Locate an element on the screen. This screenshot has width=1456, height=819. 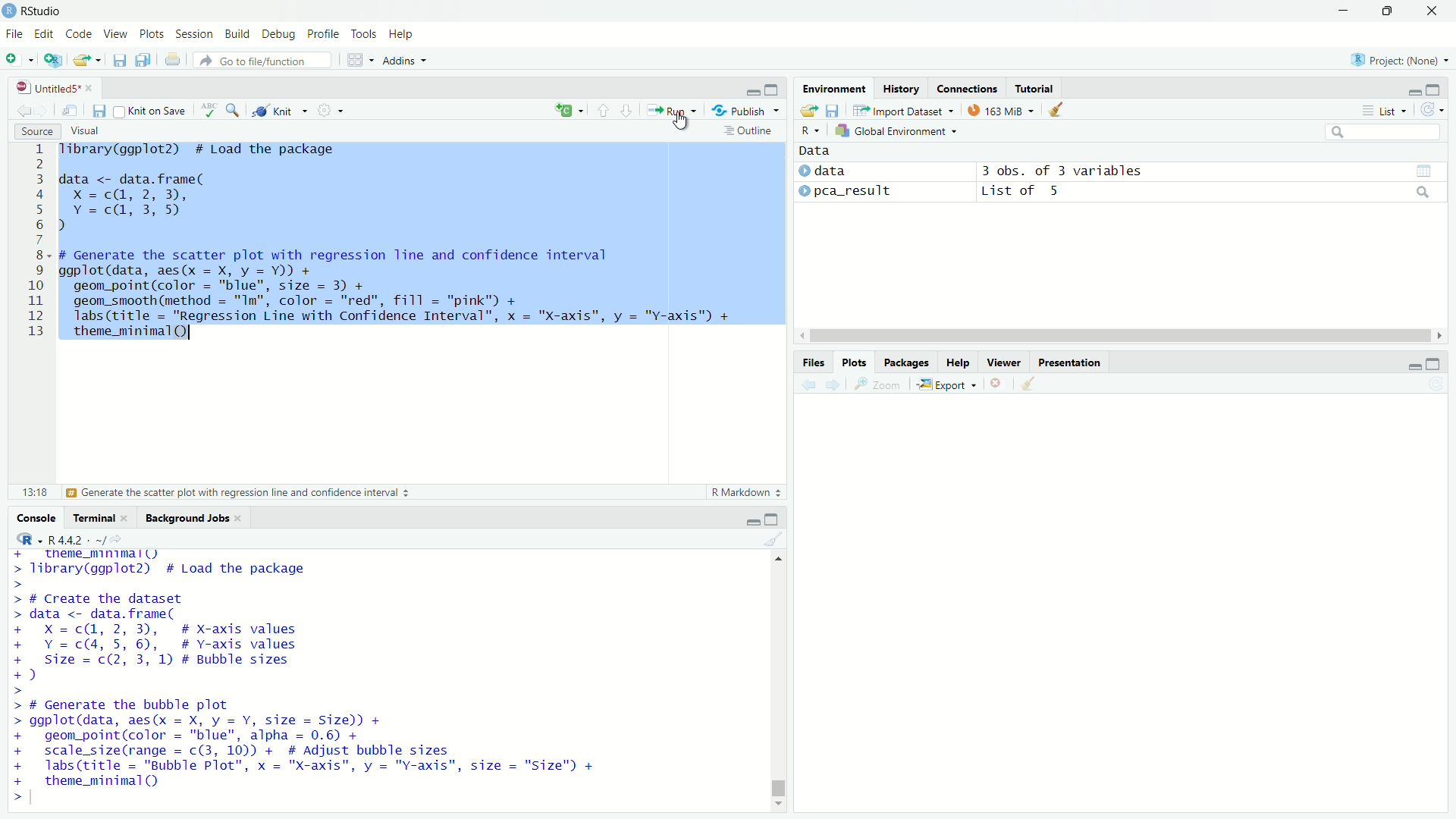
Remove current plot is located at coordinates (998, 384).